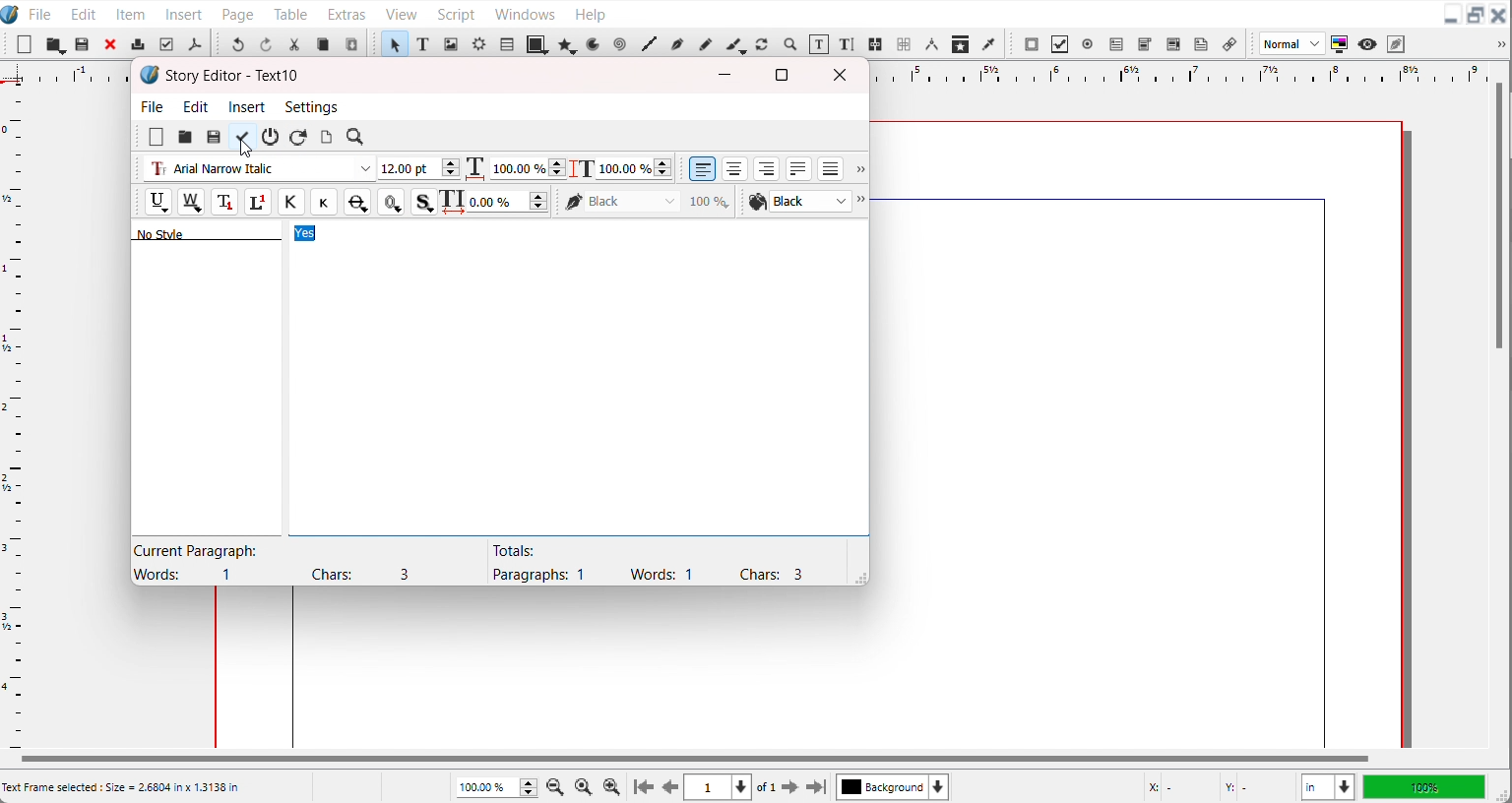 The width and height of the screenshot is (1512, 803). I want to click on Small caps, so click(323, 201).